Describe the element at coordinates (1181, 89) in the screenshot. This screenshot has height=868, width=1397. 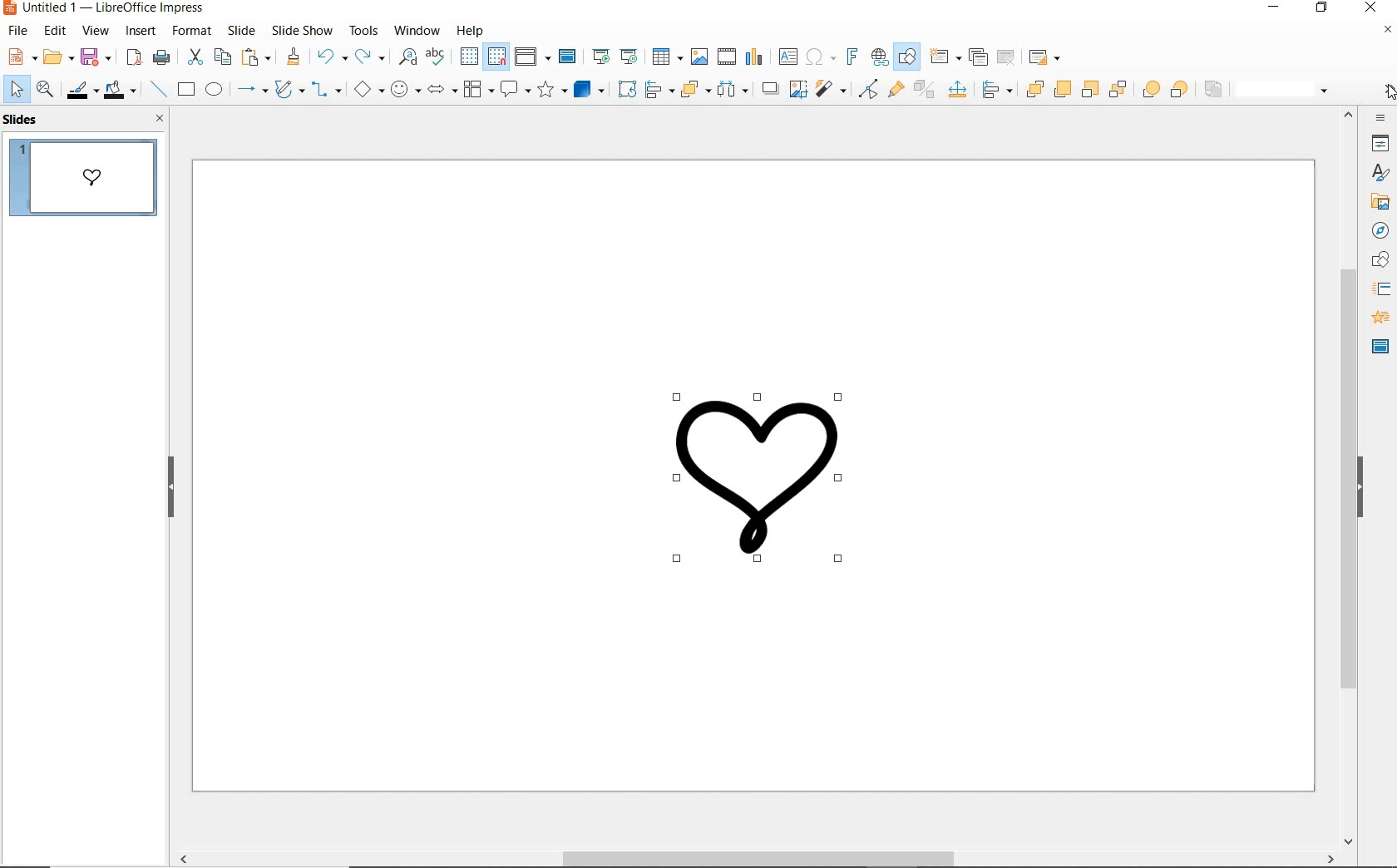
I see `behind object` at that location.